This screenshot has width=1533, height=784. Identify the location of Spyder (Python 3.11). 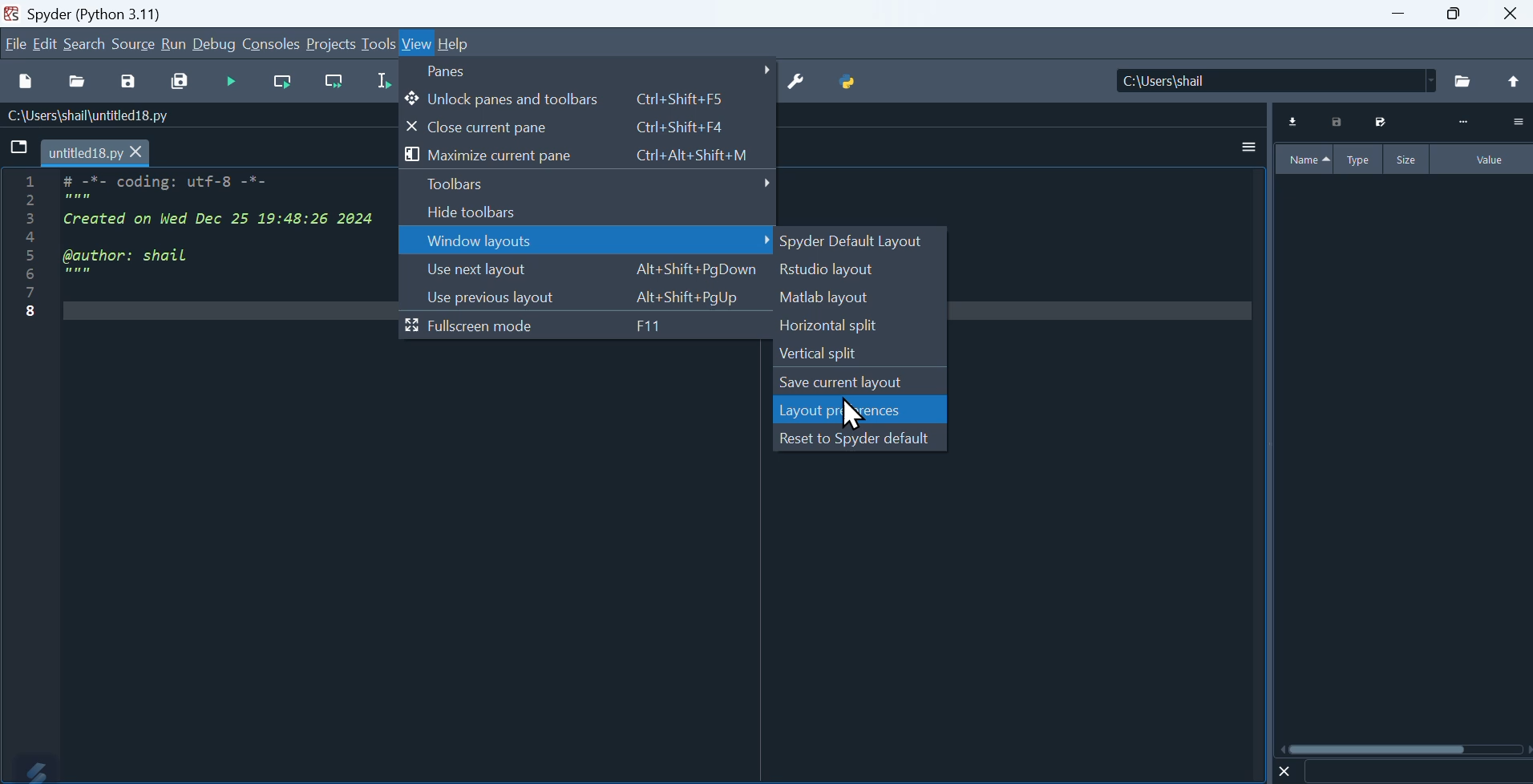
(108, 12).